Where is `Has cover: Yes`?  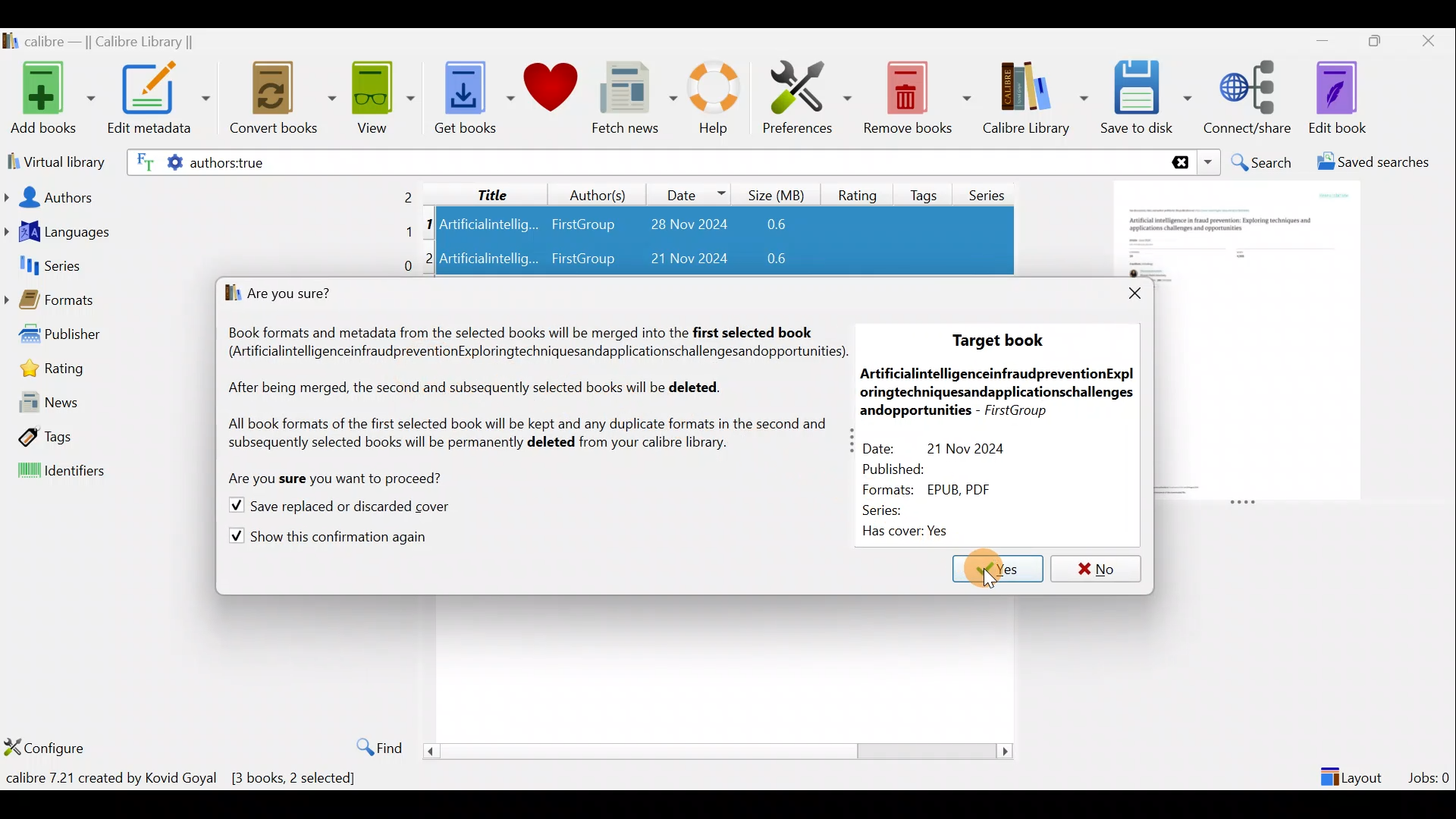
Has cover: Yes is located at coordinates (910, 531).